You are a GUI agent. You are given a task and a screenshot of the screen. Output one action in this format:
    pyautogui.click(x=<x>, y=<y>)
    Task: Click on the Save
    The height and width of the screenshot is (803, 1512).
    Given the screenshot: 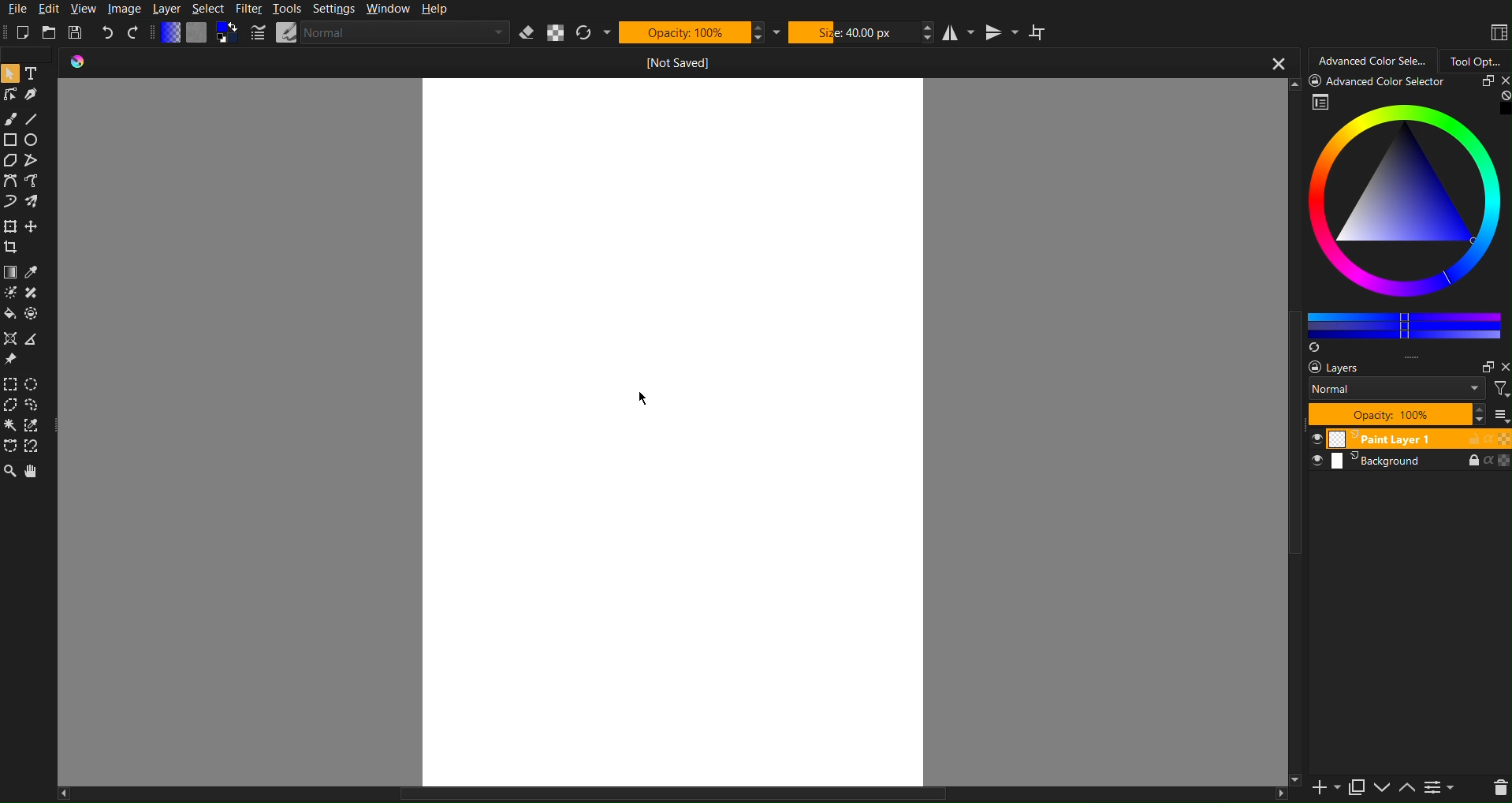 What is the action you would take?
    pyautogui.click(x=74, y=32)
    